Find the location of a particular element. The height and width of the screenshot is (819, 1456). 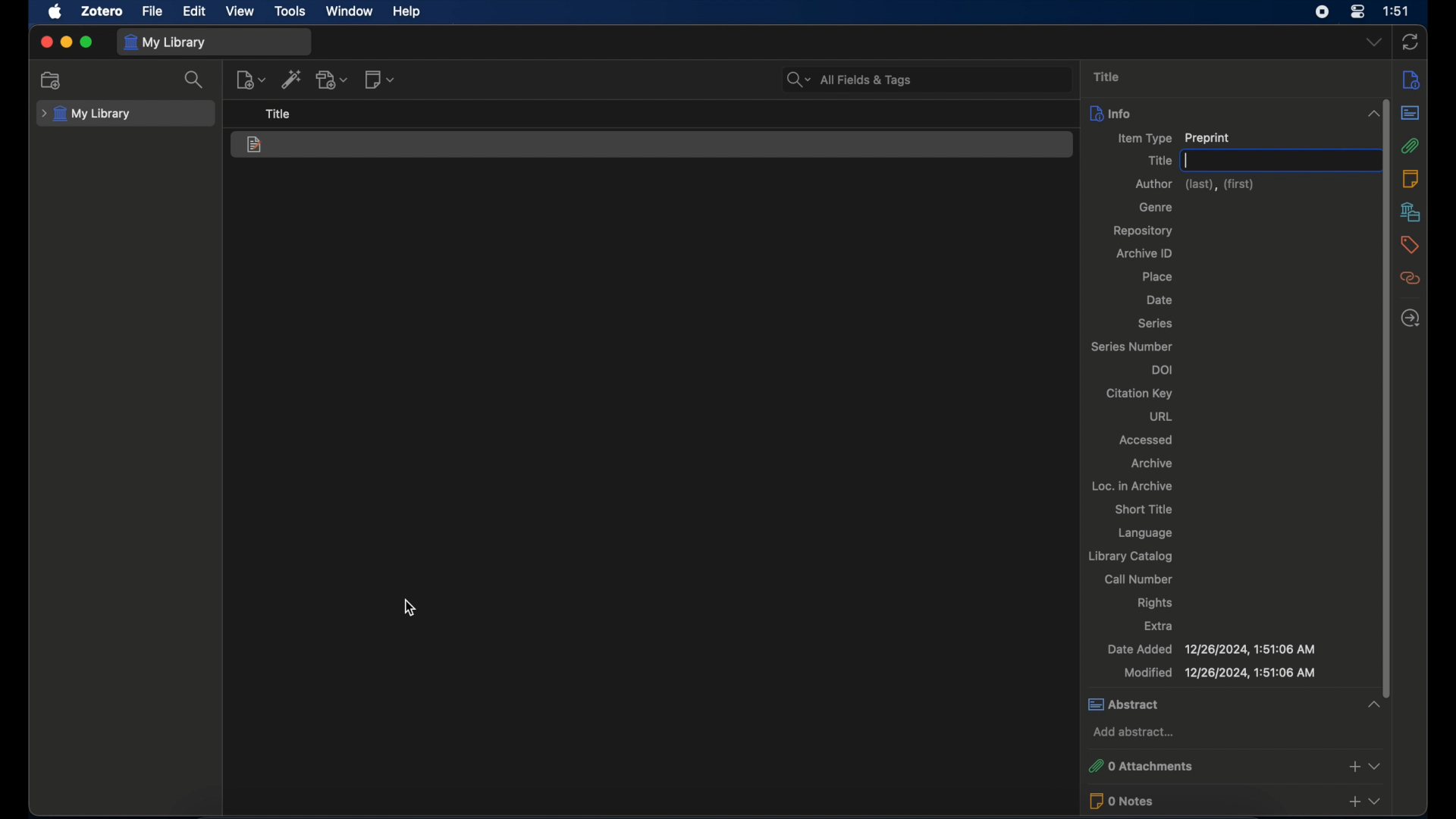

my library is located at coordinates (165, 42).